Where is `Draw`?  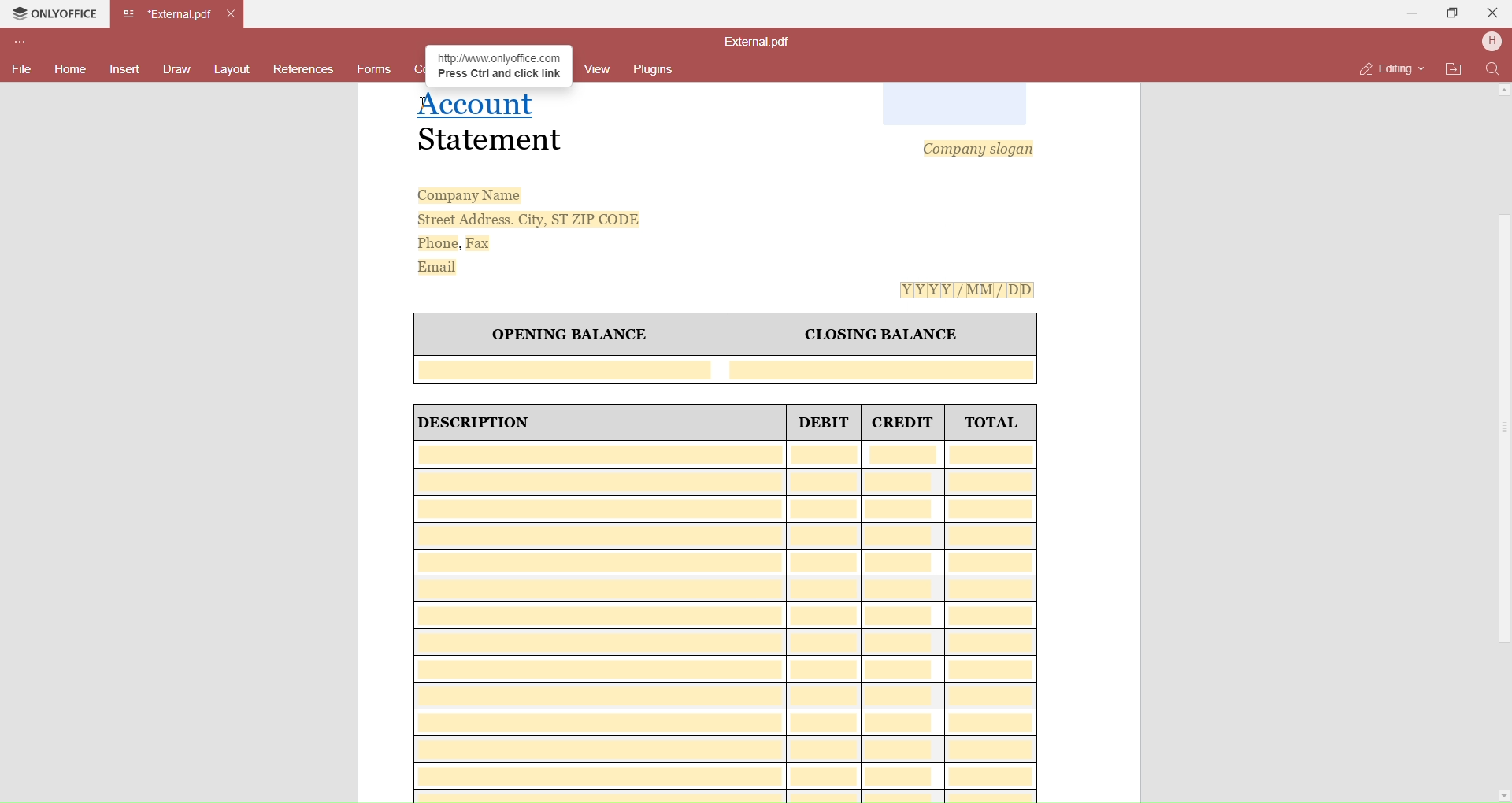
Draw is located at coordinates (178, 68).